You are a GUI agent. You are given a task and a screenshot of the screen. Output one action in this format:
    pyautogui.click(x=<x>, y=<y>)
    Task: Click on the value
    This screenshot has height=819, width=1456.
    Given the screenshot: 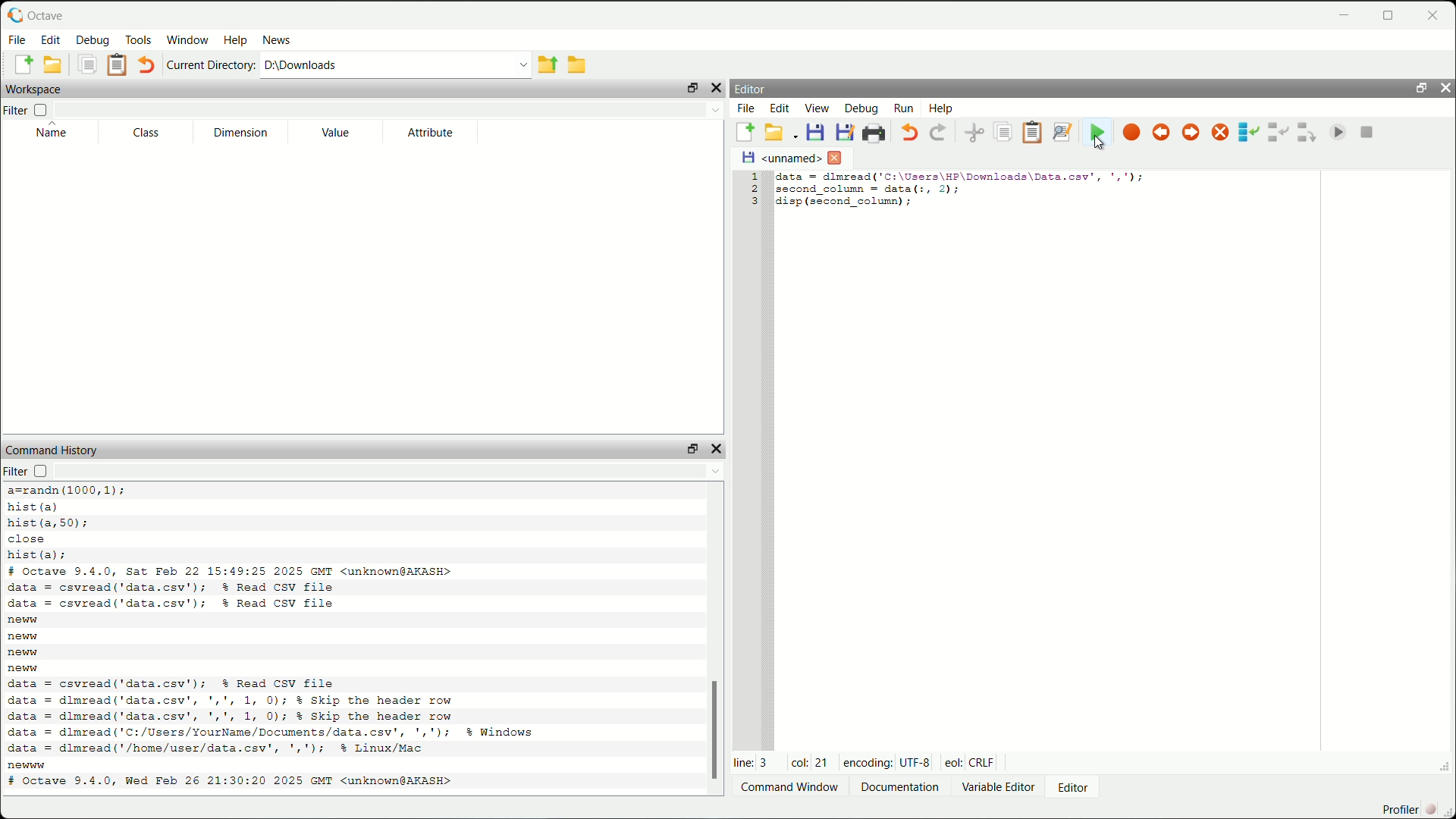 What is the action you would take?
    pyautogui.click(x=334, y=134)
    